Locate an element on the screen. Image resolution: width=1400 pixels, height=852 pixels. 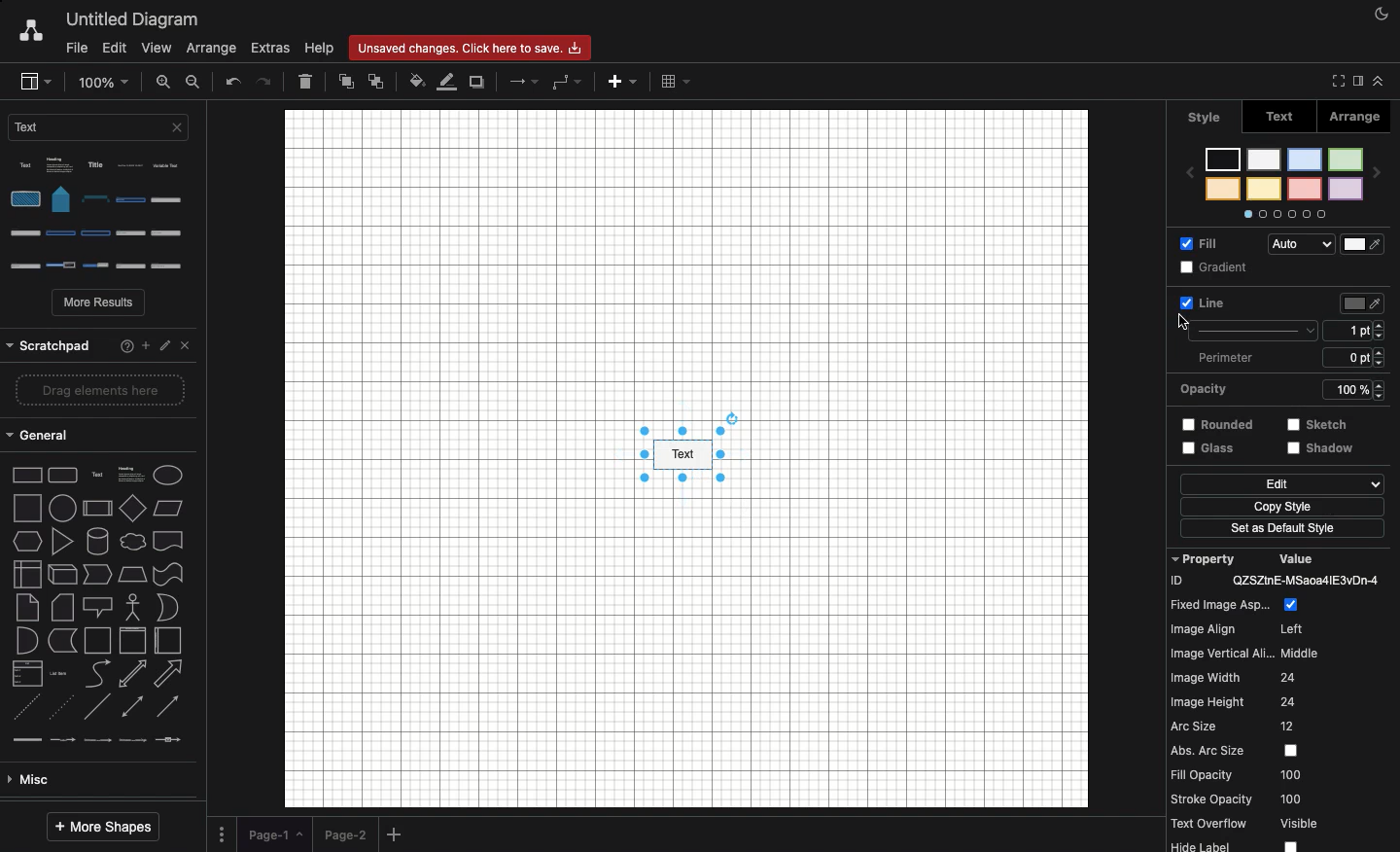
More results is located at coordinates (100, 304).